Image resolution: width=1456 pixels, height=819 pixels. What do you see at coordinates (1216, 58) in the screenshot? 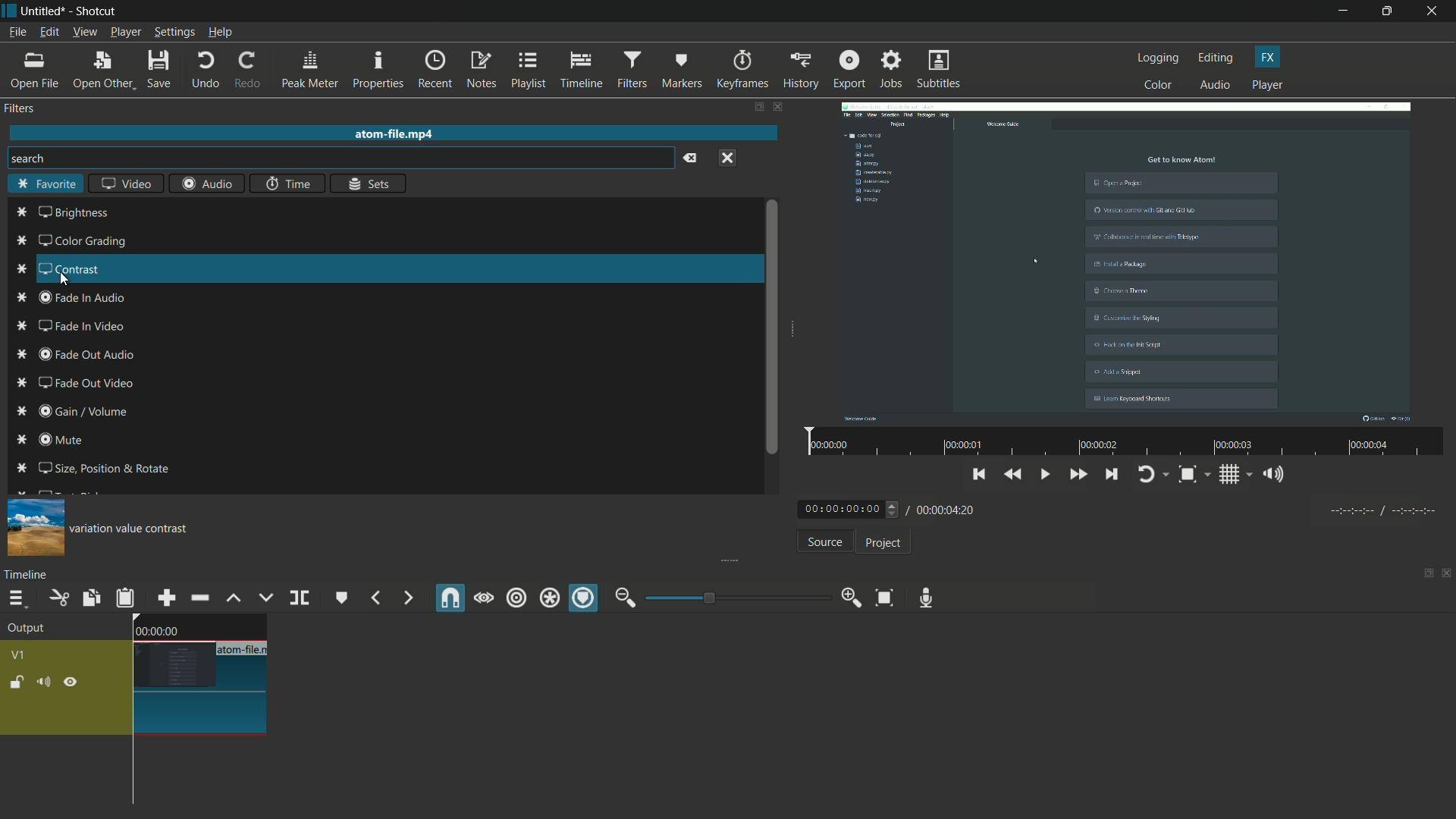
I see `editing` at bounding box center [1216, 58].